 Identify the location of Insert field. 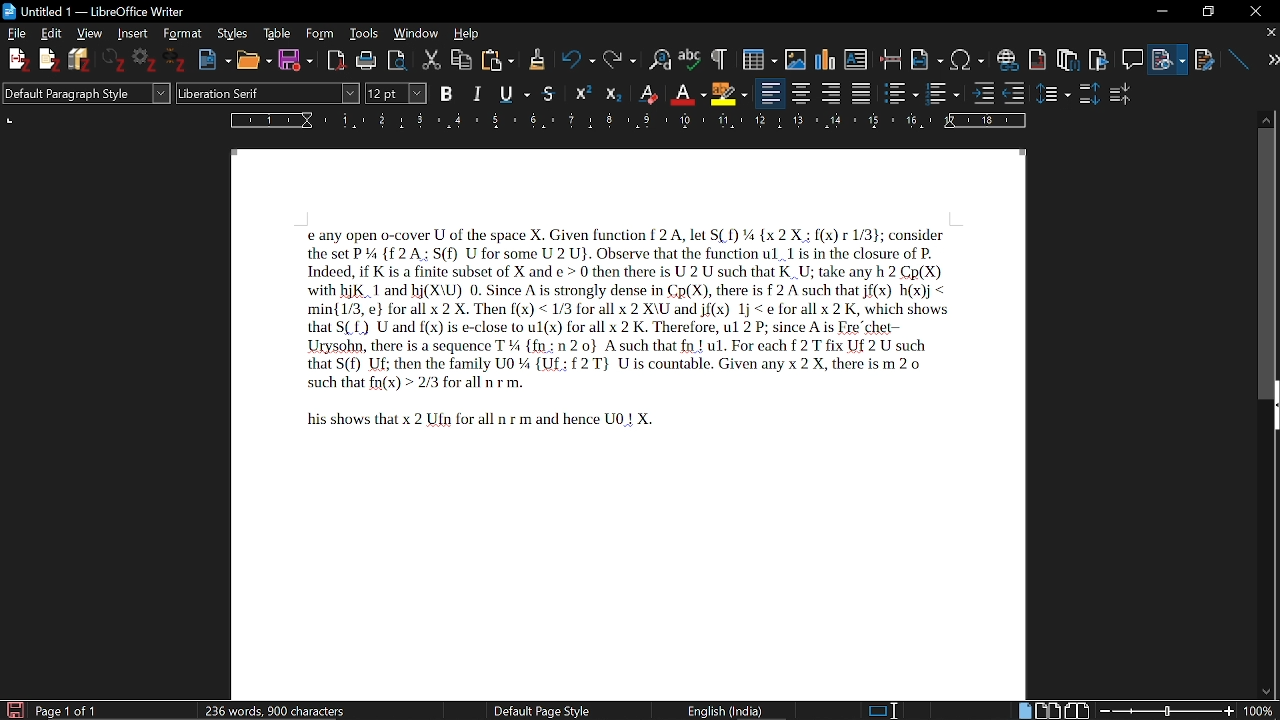
(927, 55).